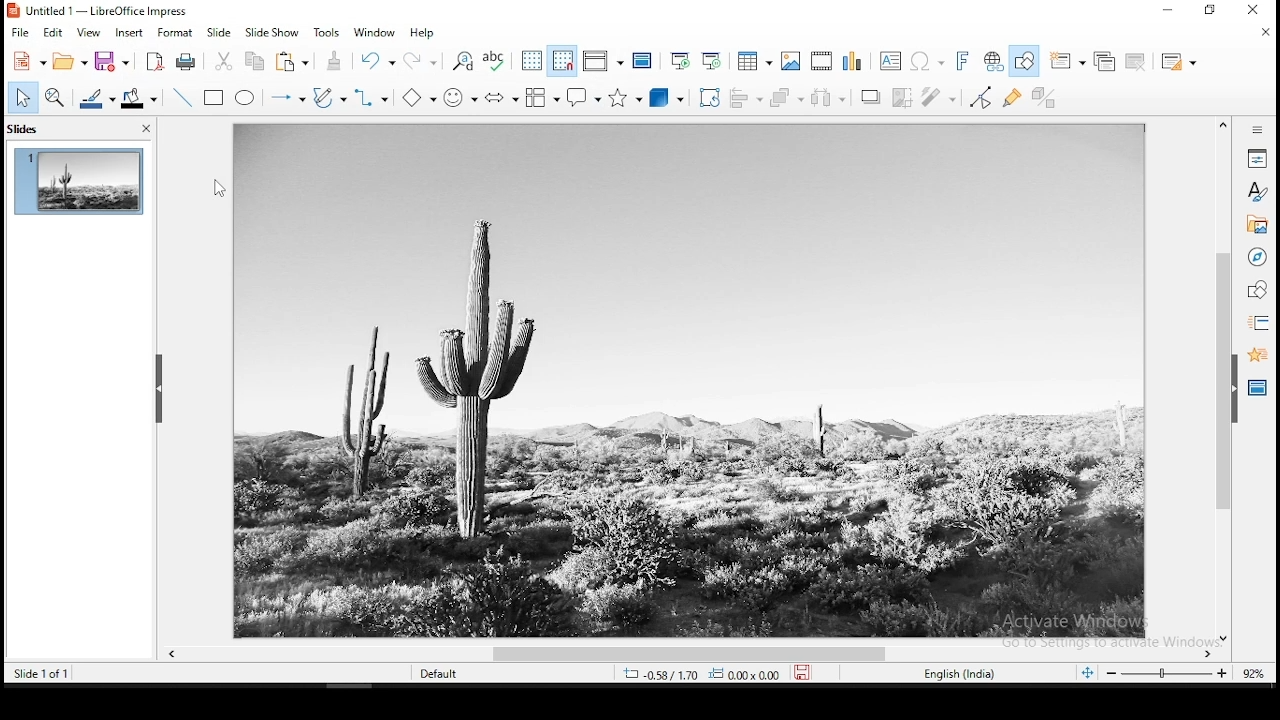 This screenshot has width=1280, height=720. What do you see at coordinates (1013, 96) in the screenshot?
I see `show gluepoint functions` at bounding box center [1013, 96].